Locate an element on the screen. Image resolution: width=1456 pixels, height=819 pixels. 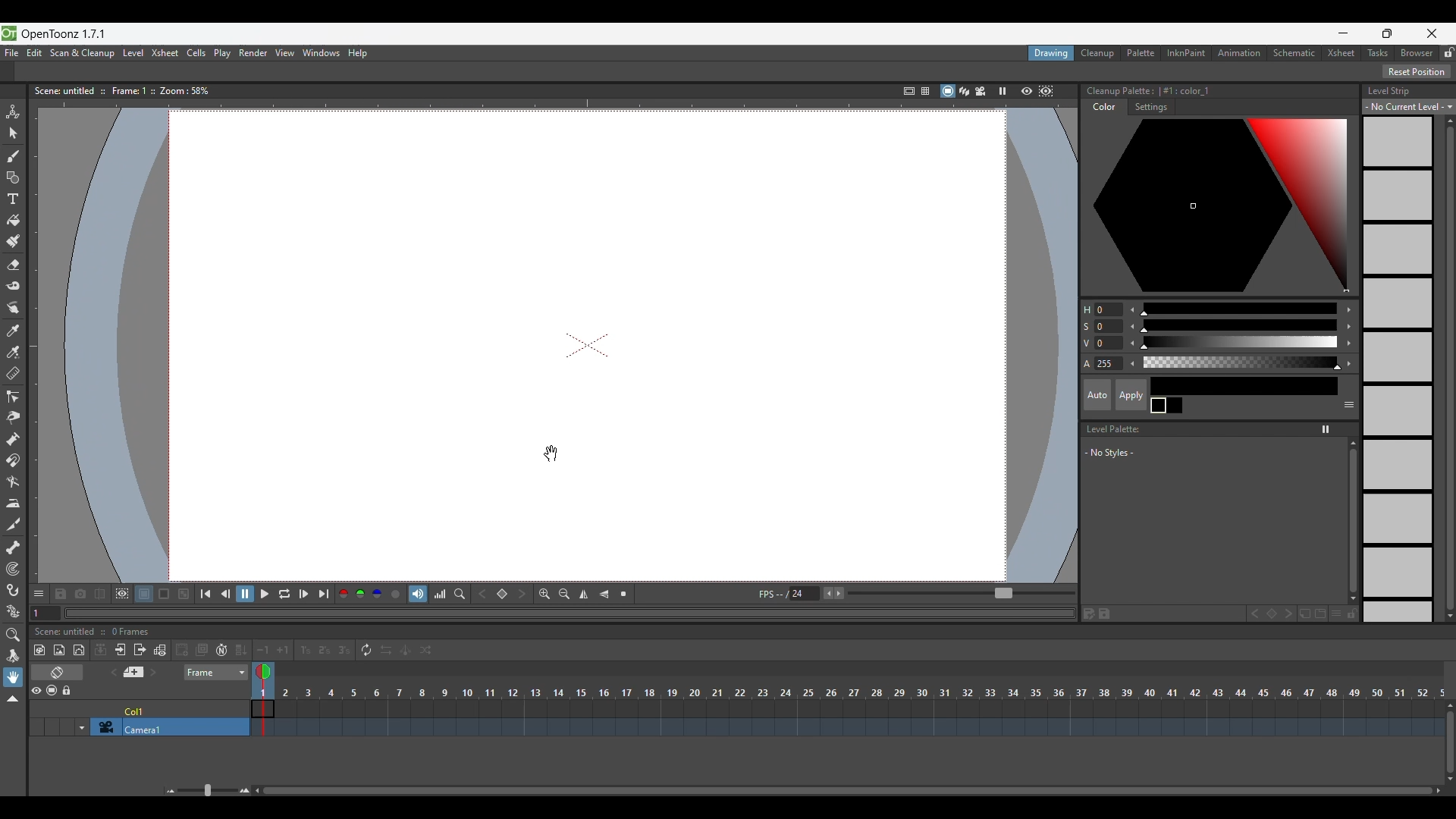
Xsheet is located at coordinates (165, 52).